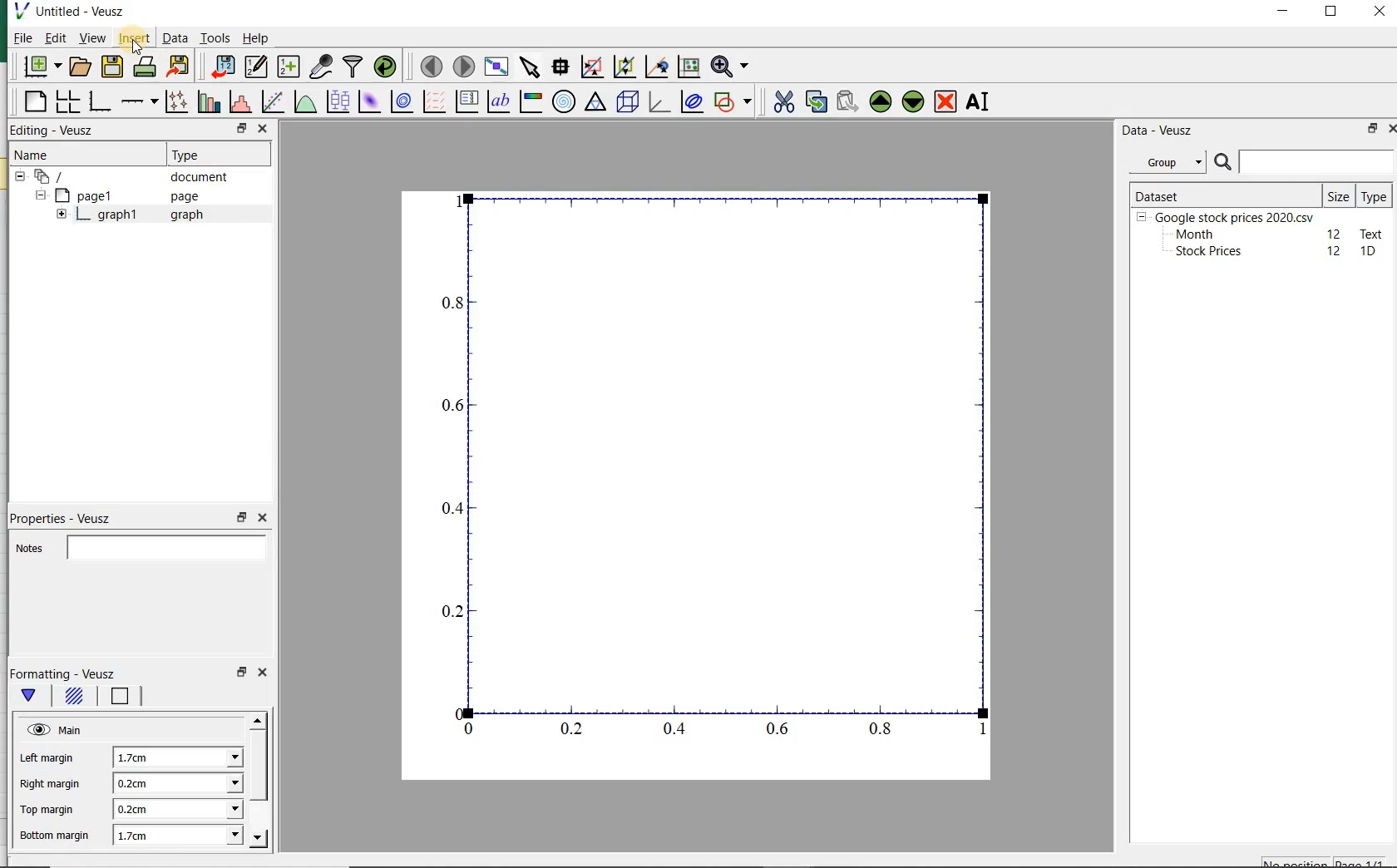 This screenshot has height=868, width=1397. Describe the element at coordinates (57, 731) in the screenshot. I see `Main` at that location.